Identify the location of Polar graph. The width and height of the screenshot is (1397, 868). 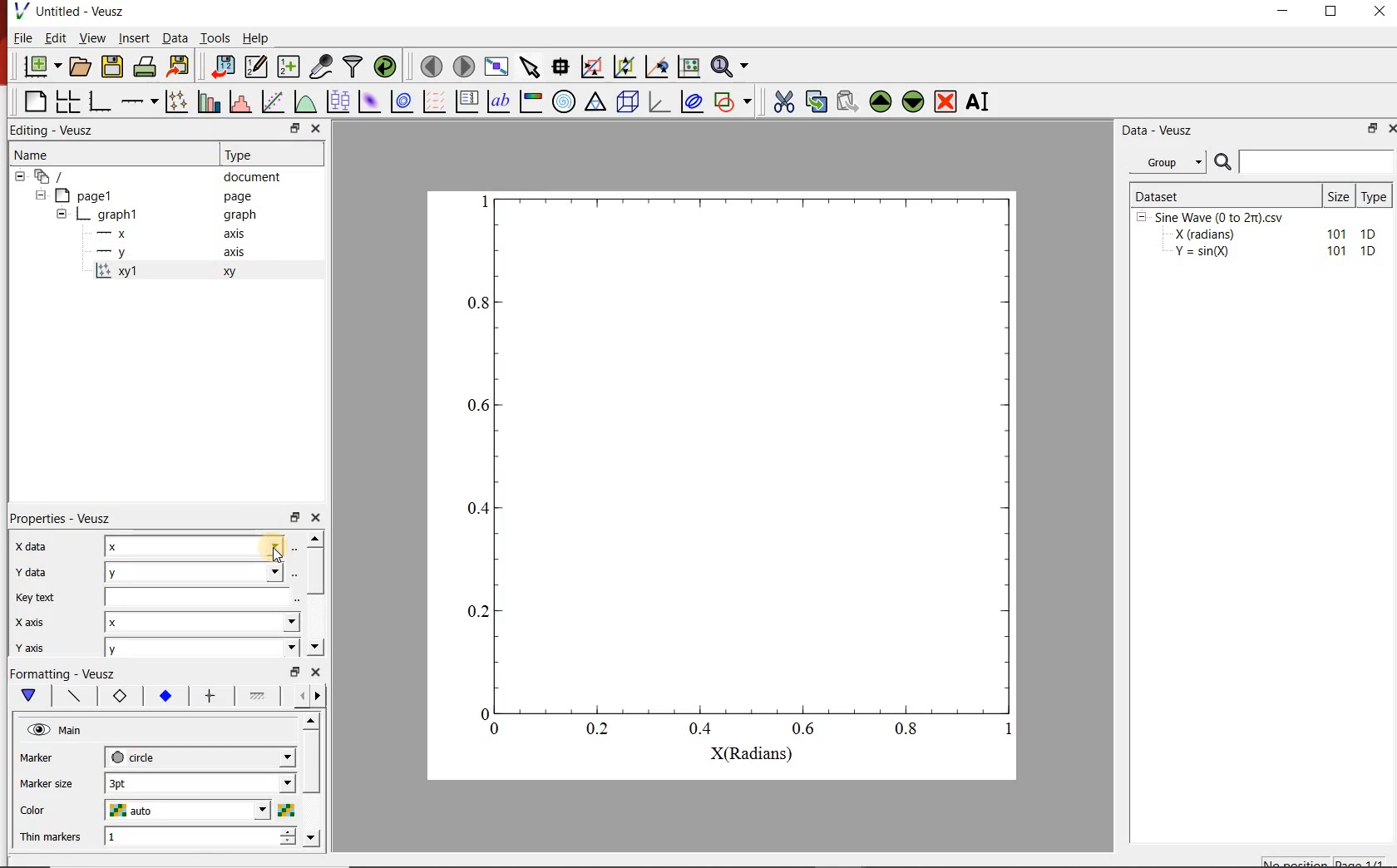
(565, 101).